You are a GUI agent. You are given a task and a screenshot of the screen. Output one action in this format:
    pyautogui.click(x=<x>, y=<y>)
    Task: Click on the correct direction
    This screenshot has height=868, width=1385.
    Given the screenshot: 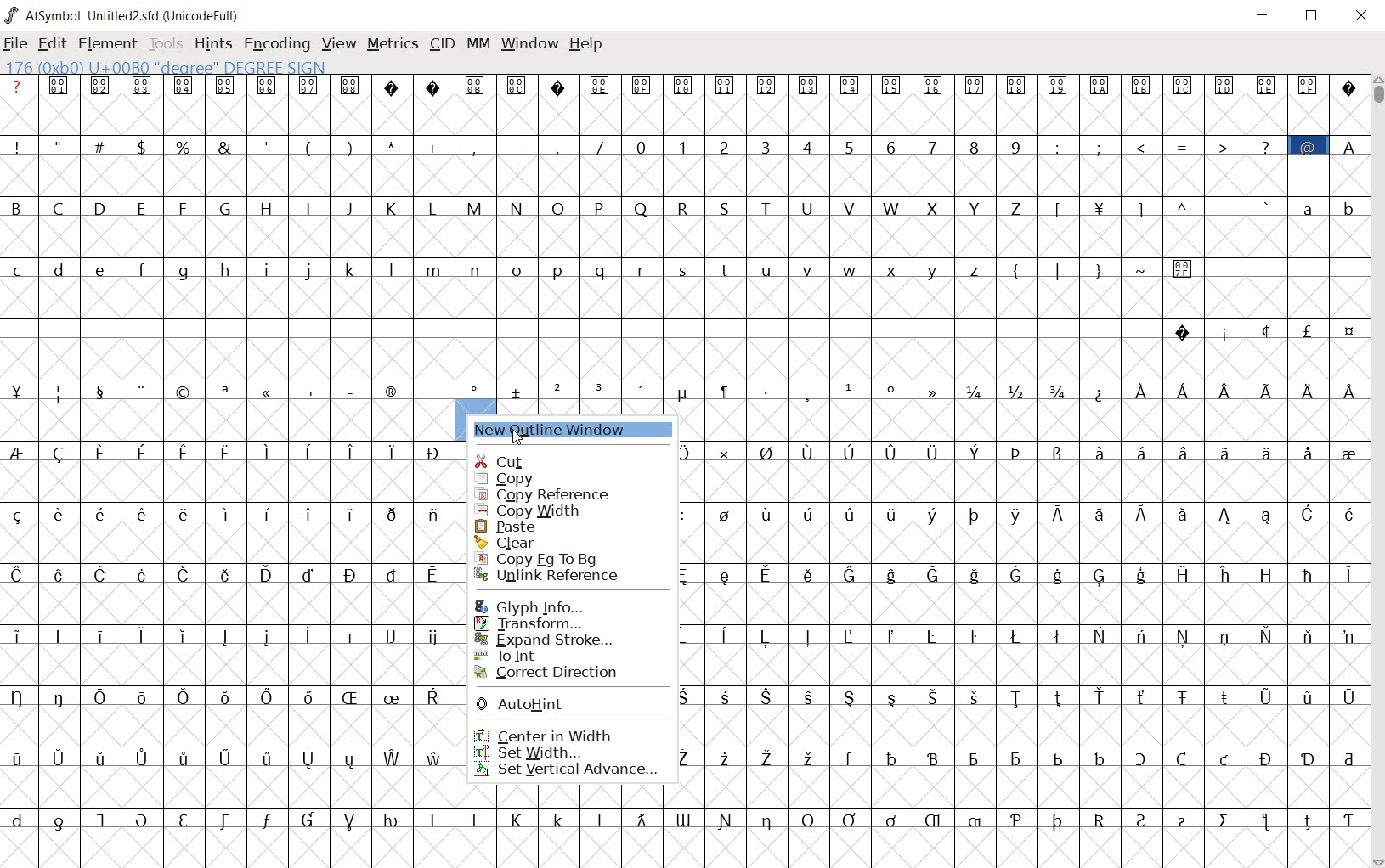 What is the action you would take?
    pyautogui.click(x=568, y=675)
    